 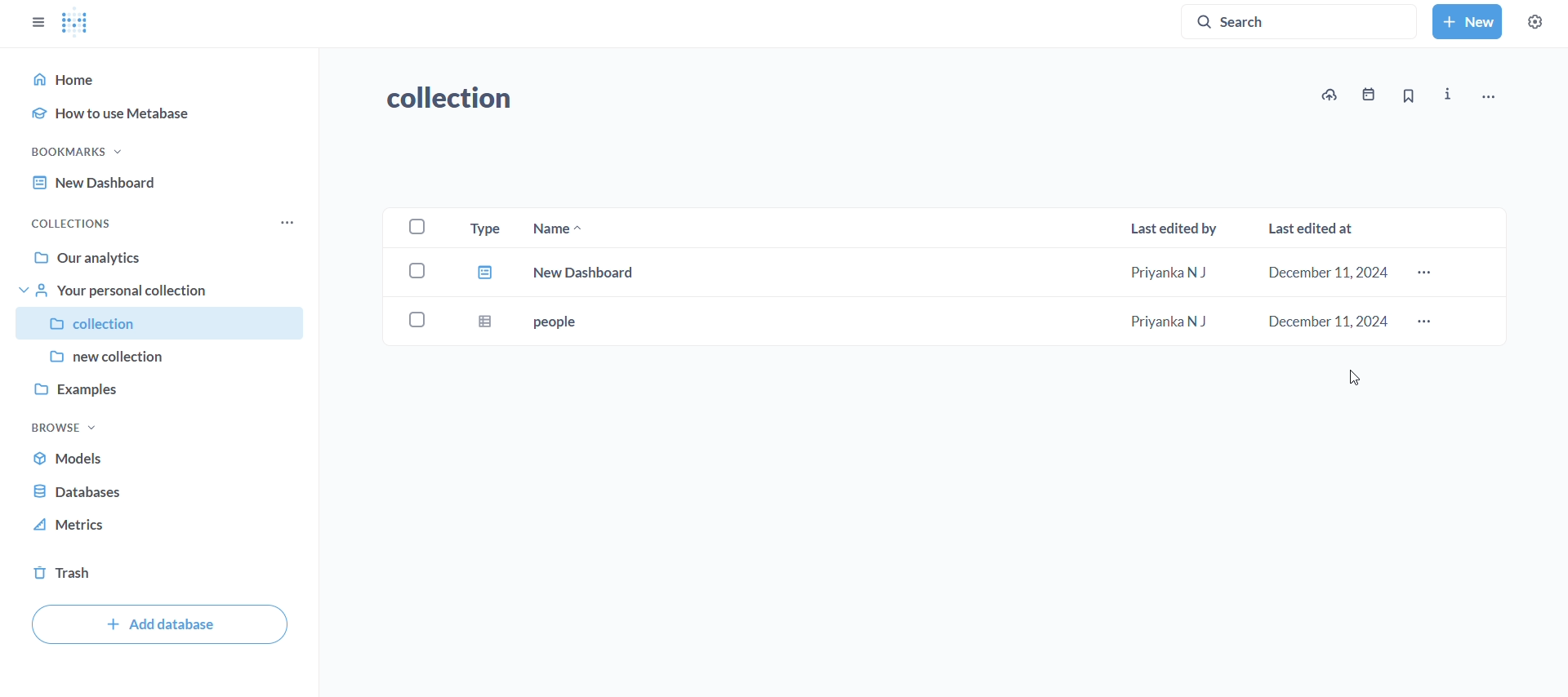 What do you see at coordinates (152, 390) in the screenshot?
I see `examples` at bounding box center [152, 390].